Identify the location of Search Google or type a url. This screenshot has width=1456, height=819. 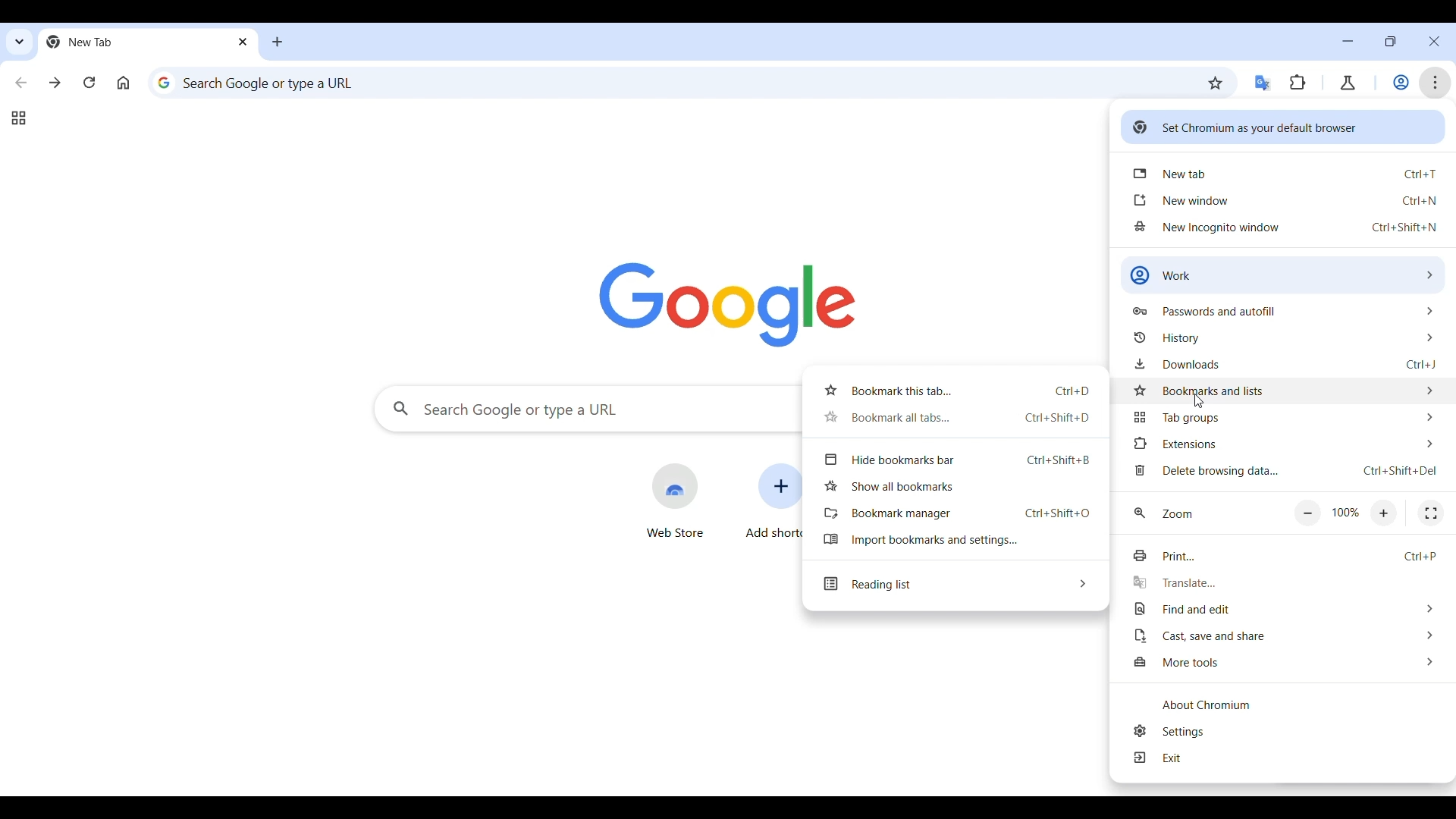
(586, 409).